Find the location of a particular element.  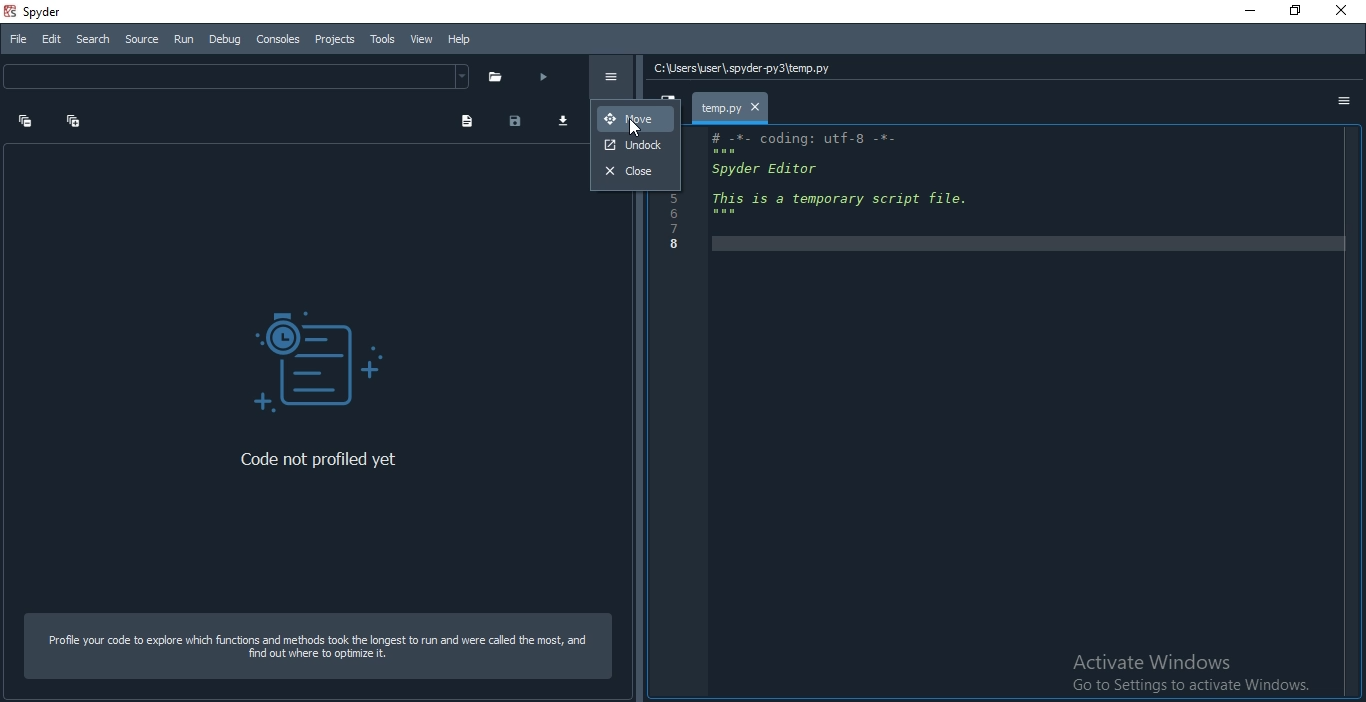

expand is located at coordinates (22, 121).